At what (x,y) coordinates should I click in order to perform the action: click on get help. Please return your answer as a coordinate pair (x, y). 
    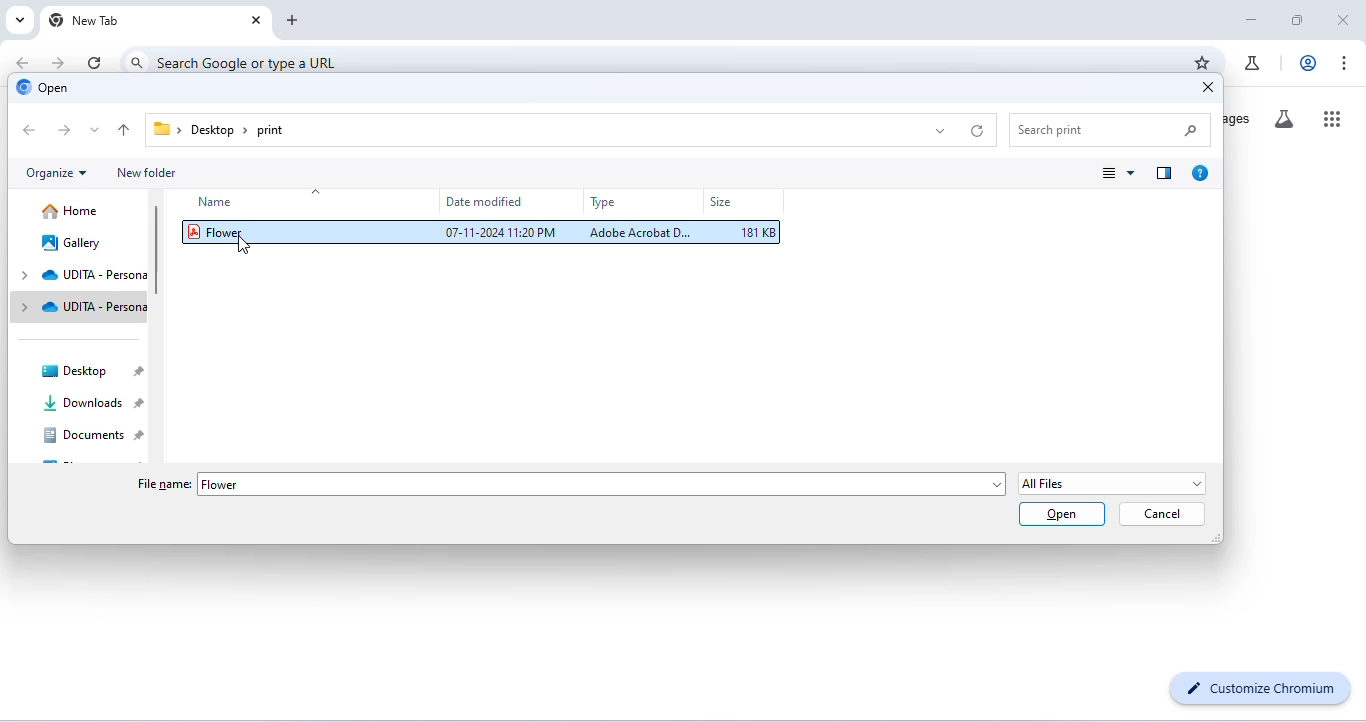
    Looking at the image, I should click on (1201, 173).